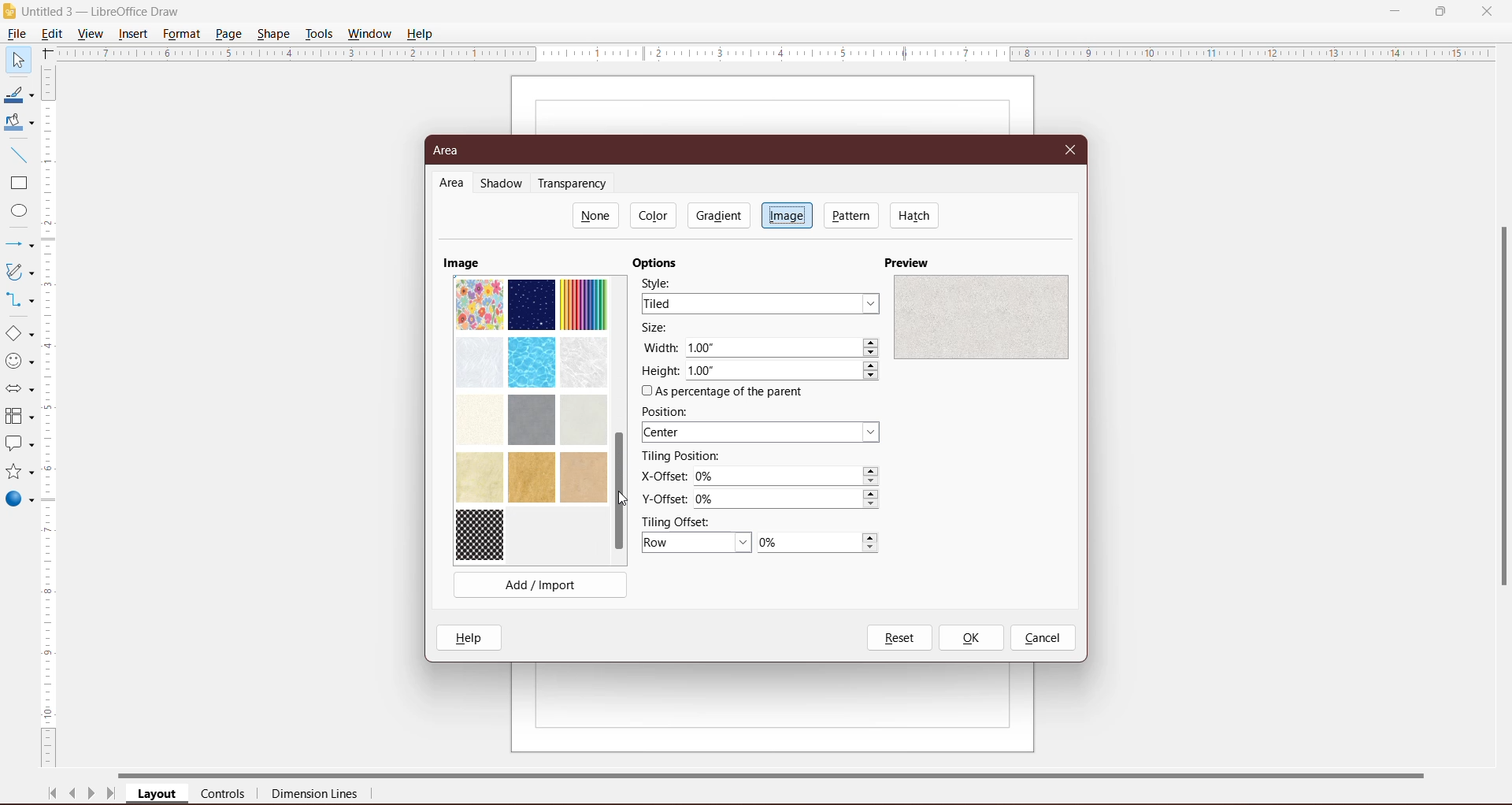 The height and width of the screenshot is (805, 1512). Describe the element at coordinates (134, 34) in the screenshot. I see `Insert` at that location.